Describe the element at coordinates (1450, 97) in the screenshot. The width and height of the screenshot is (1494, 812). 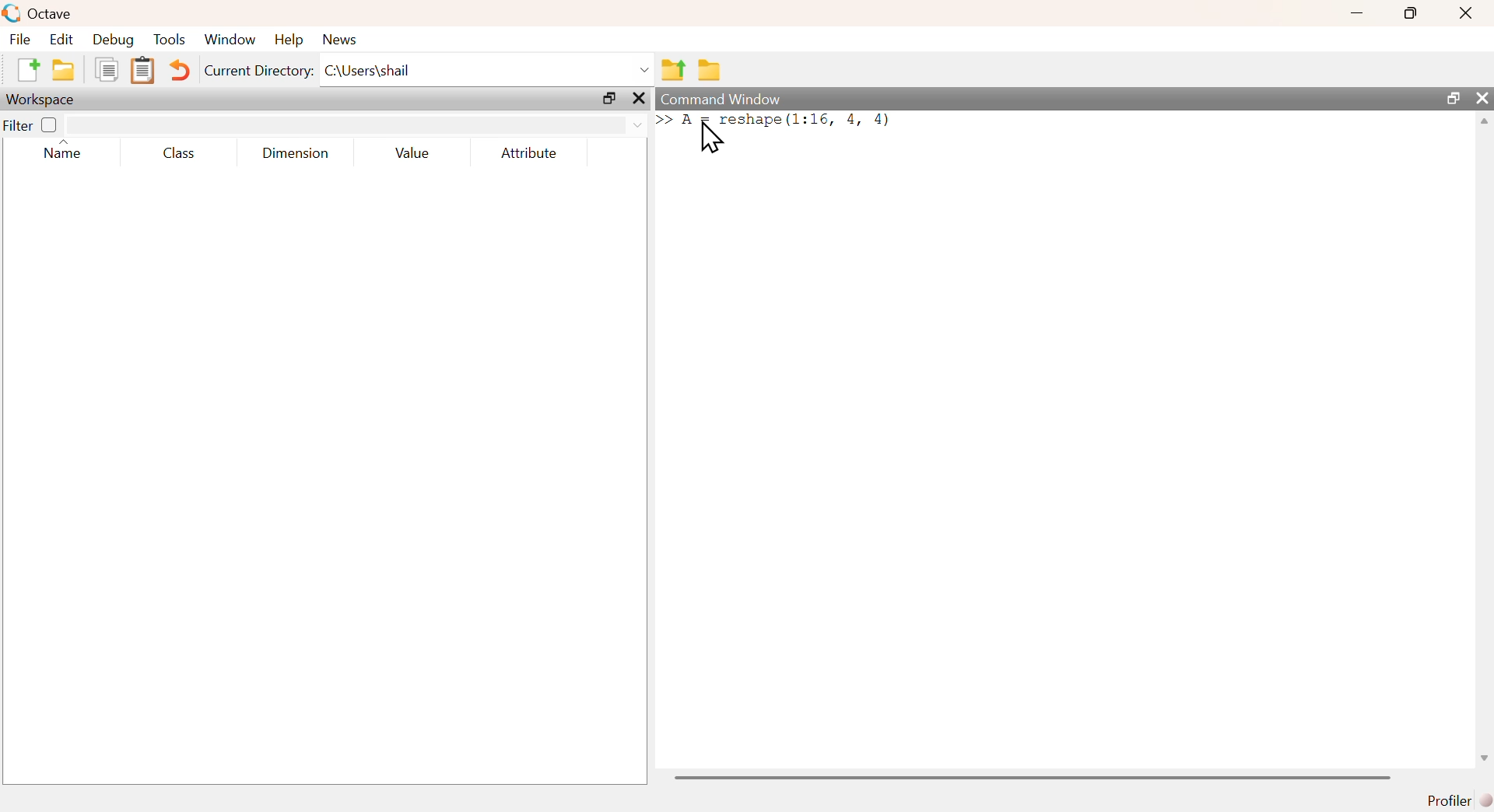
I see `maximize` at that location.